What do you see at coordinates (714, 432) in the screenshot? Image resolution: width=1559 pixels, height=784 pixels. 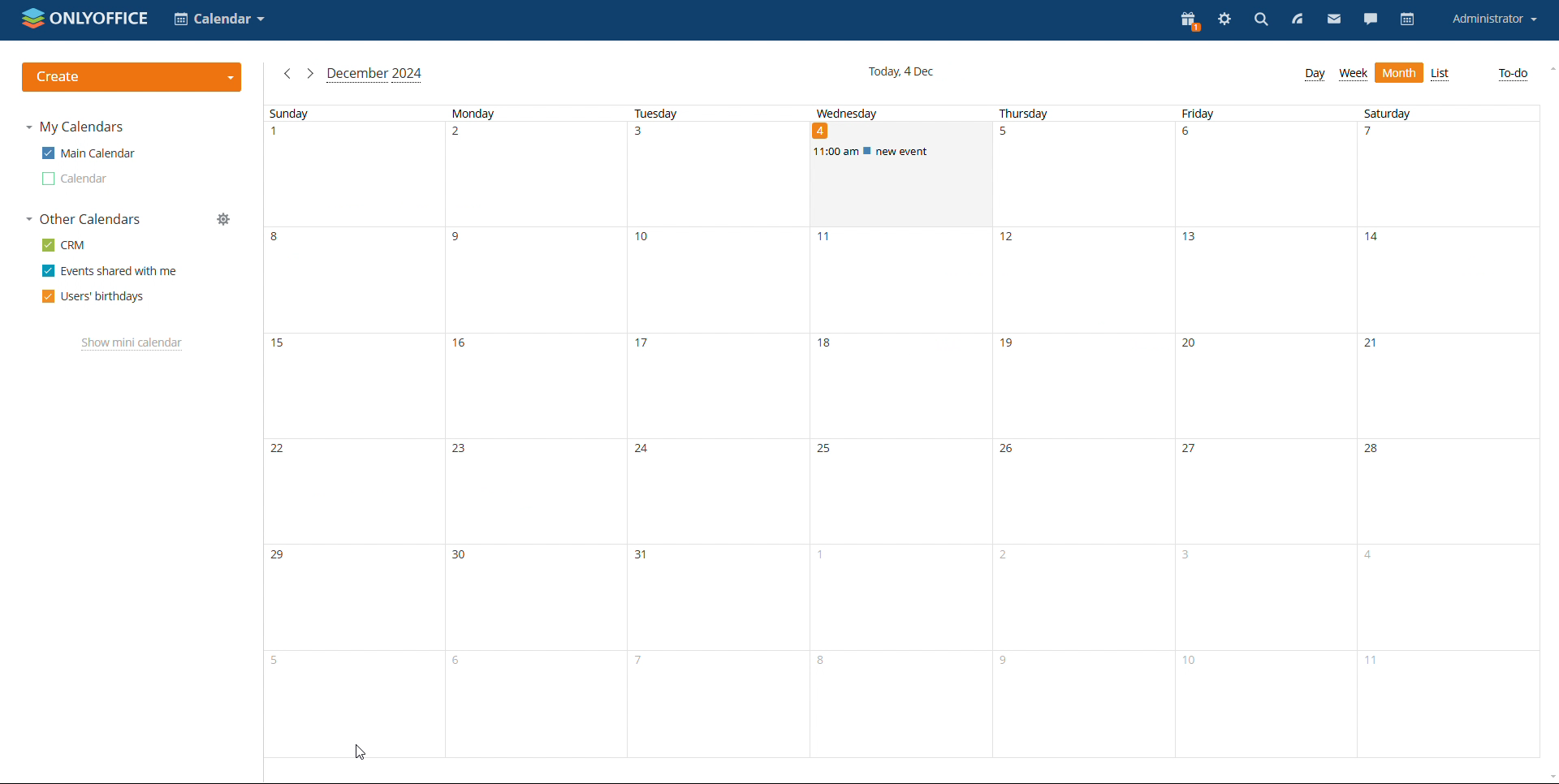 I see `tuesday` at bounding box center [714, 432].